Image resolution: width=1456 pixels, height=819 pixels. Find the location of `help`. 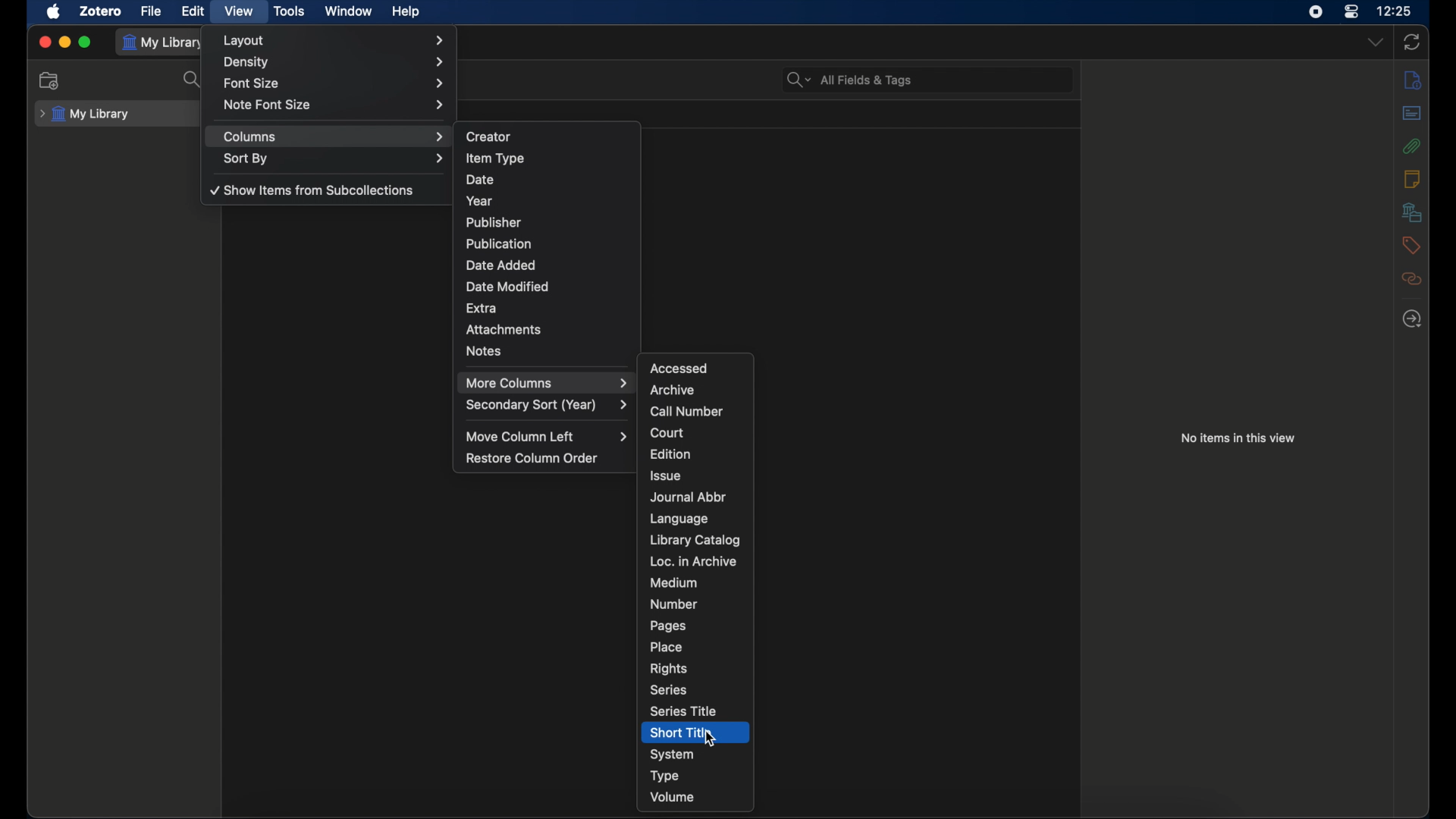

help is located at coordinates (405, 12).